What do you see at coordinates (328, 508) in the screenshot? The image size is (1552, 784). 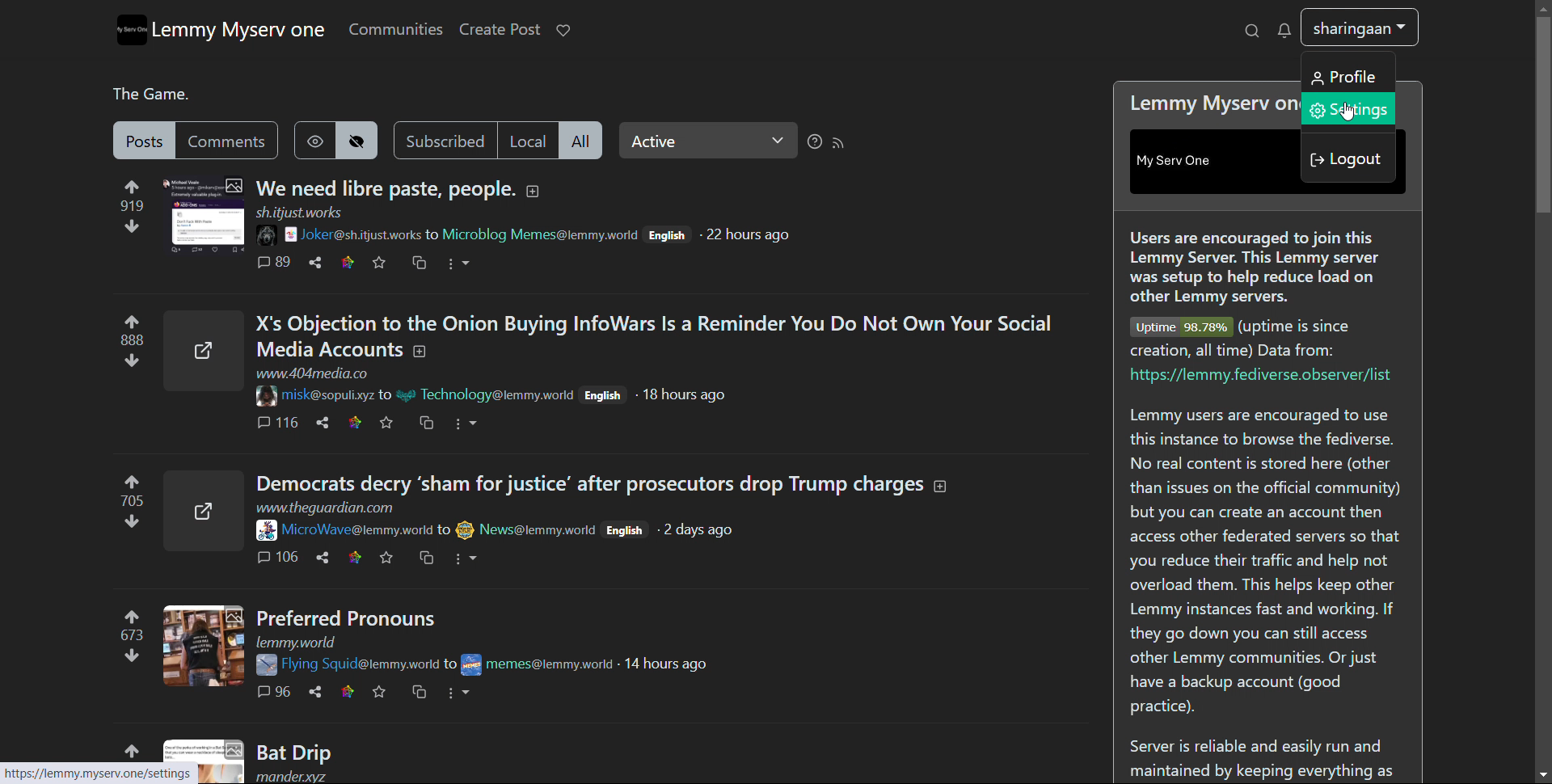 I see `URL` at bounding box center [328, 508].